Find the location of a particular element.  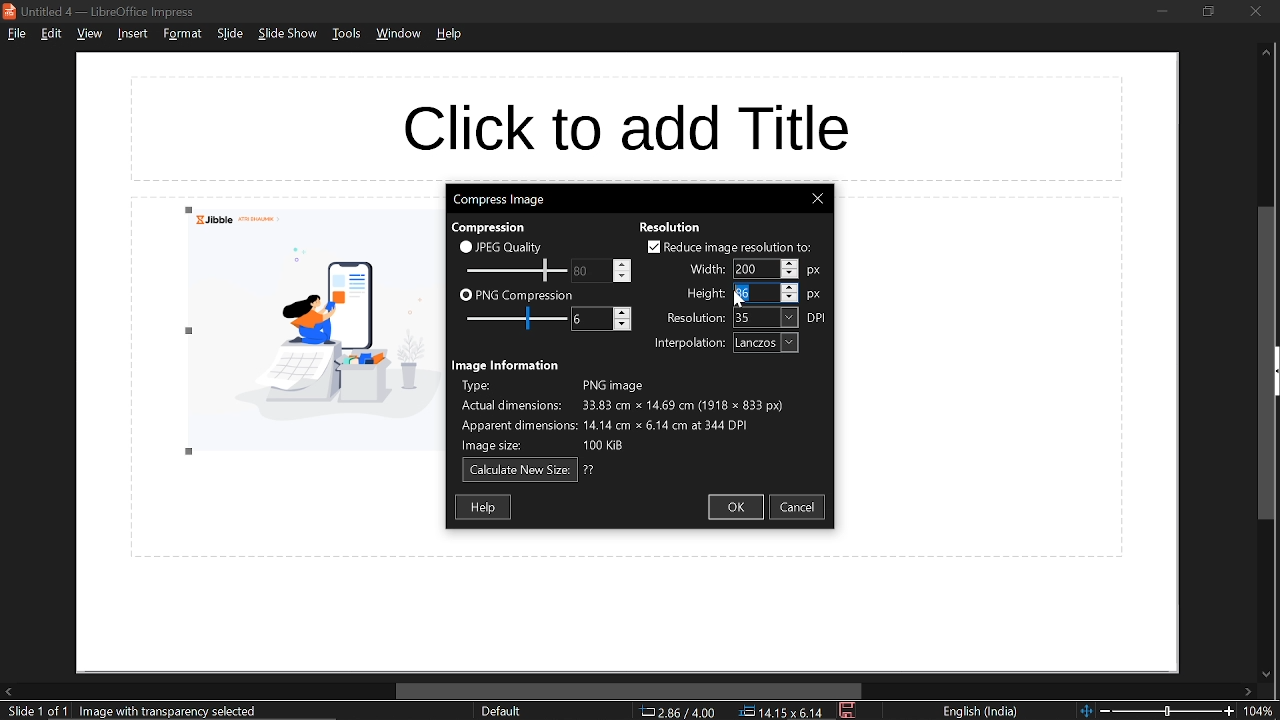

slide is located at coordinates (230, 34).